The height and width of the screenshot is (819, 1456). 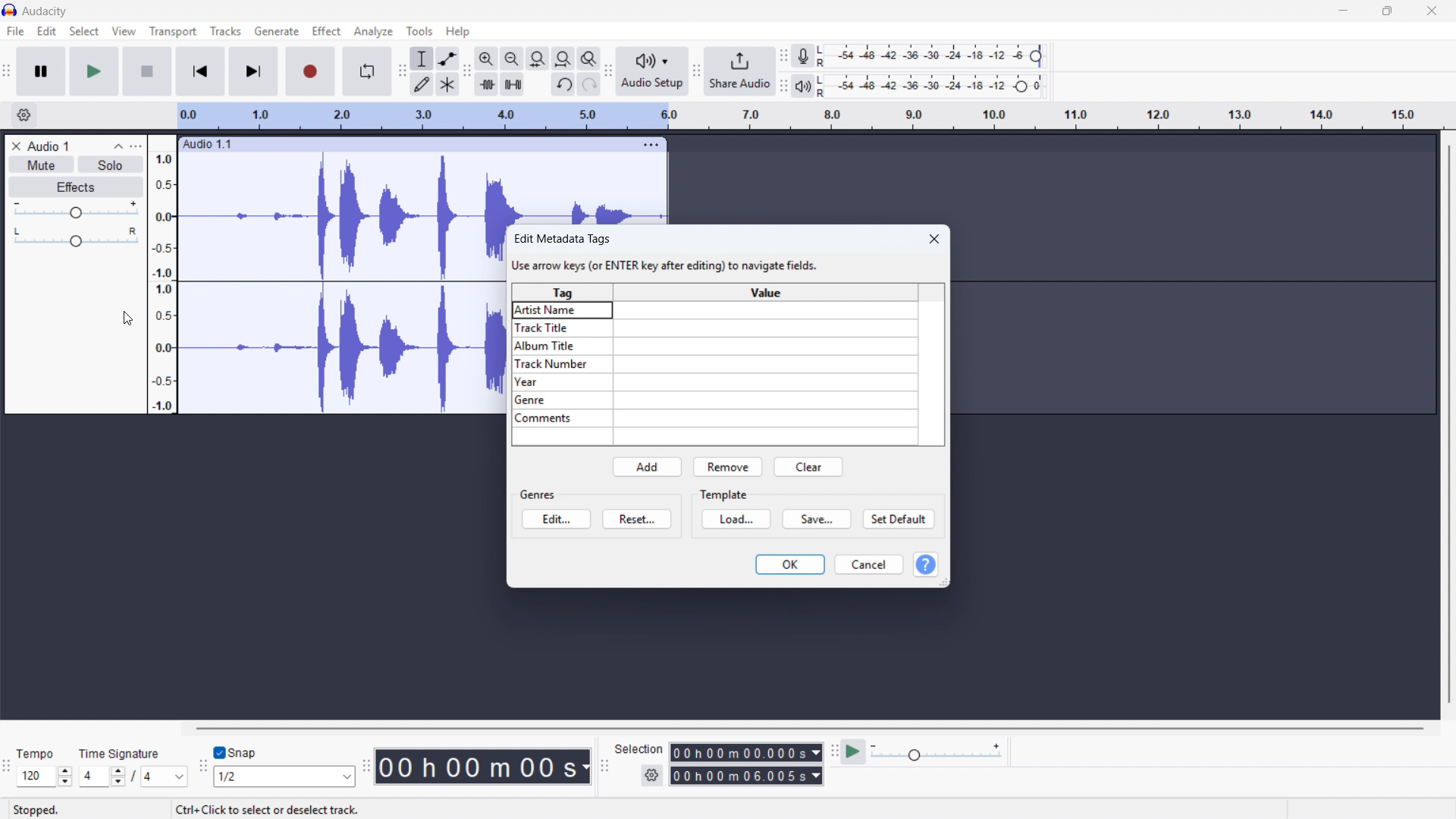 What do you see at coordinates (421, 85) in the screenshot?
I see `draw tool` at bounding box center [421, 85].